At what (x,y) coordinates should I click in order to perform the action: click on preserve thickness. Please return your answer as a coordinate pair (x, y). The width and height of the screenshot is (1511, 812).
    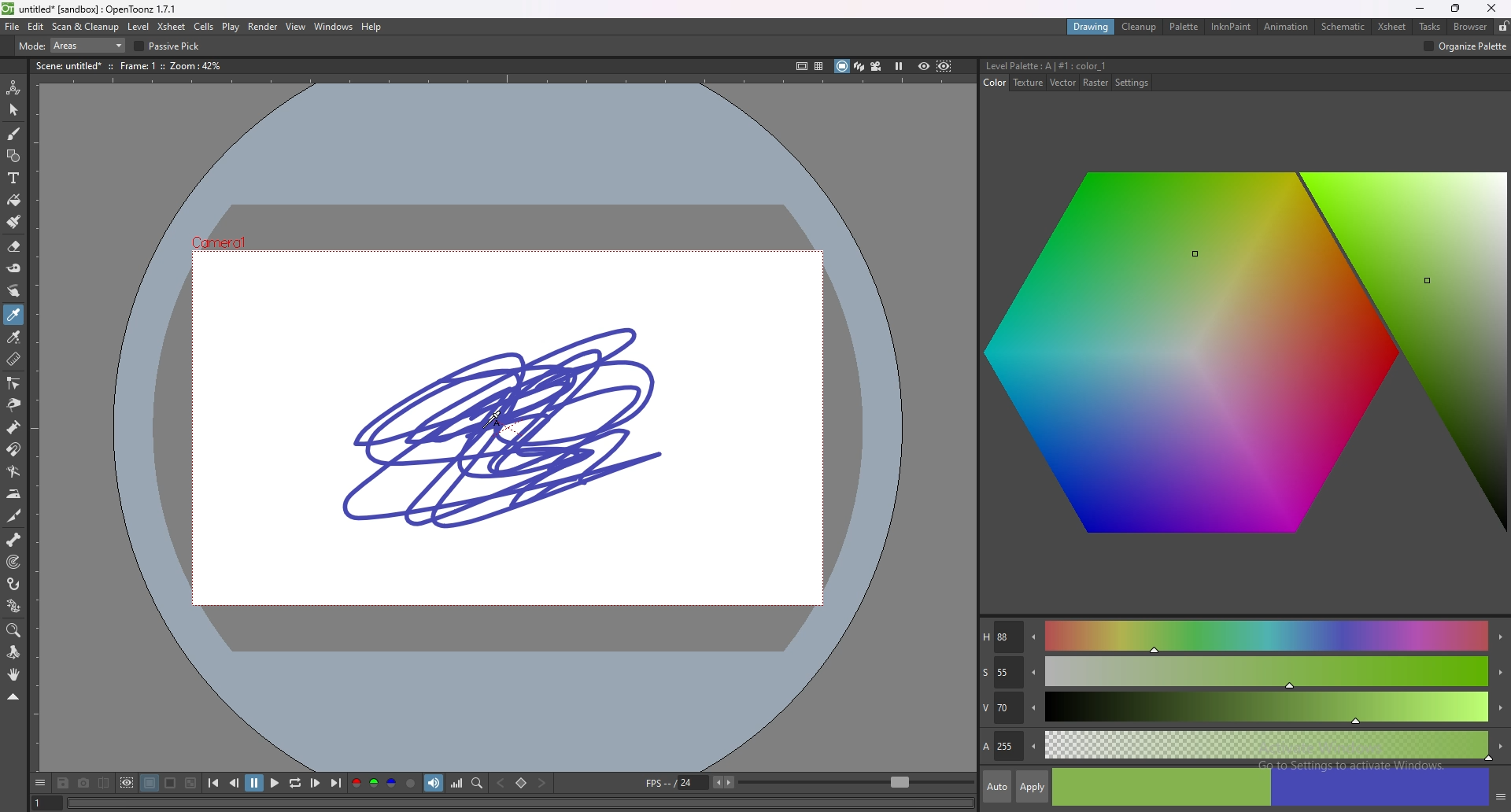
    Looking at the image, I should click on (463, 46).